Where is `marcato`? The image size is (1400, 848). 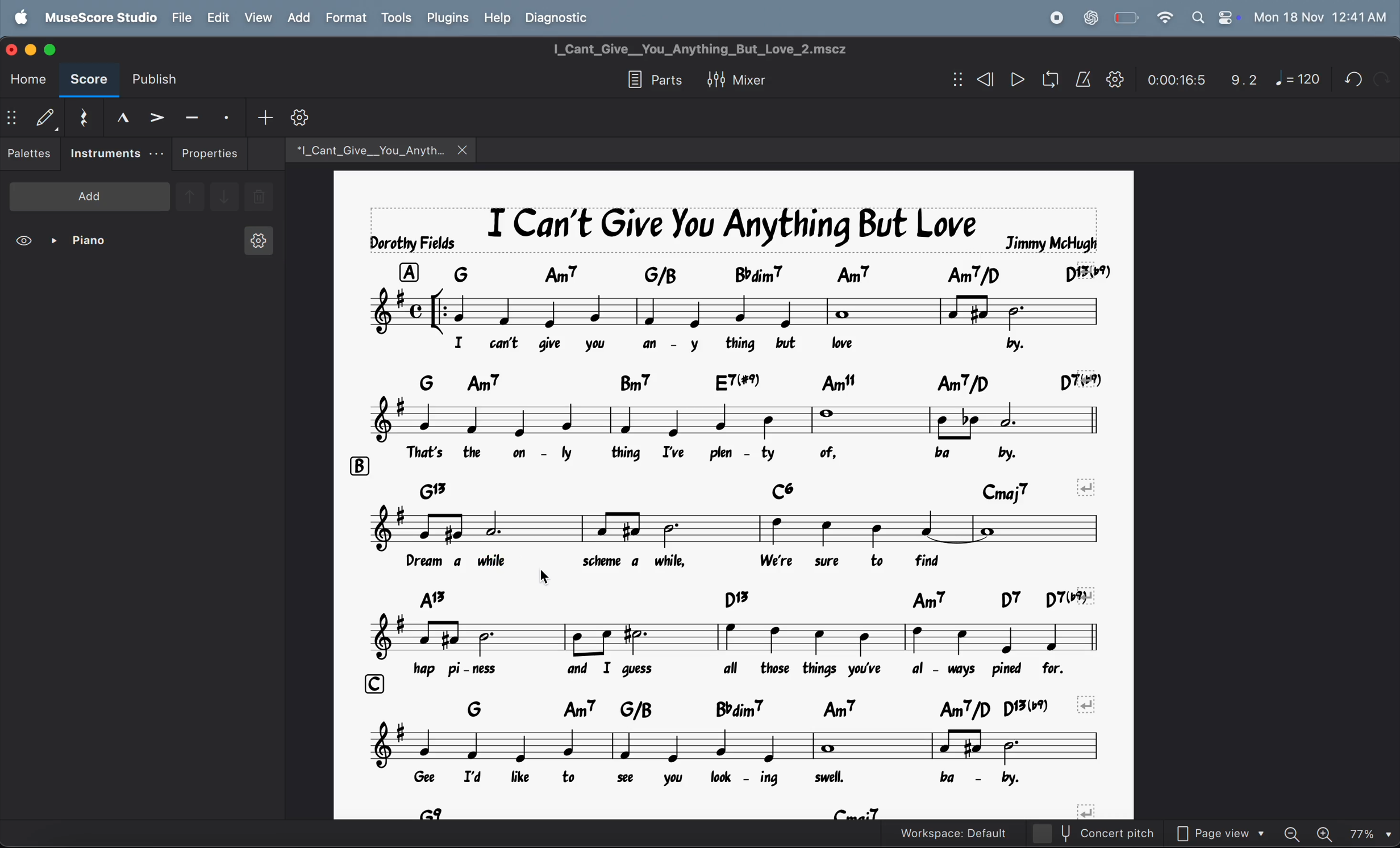
marcato is located at coordinates (118, 116).